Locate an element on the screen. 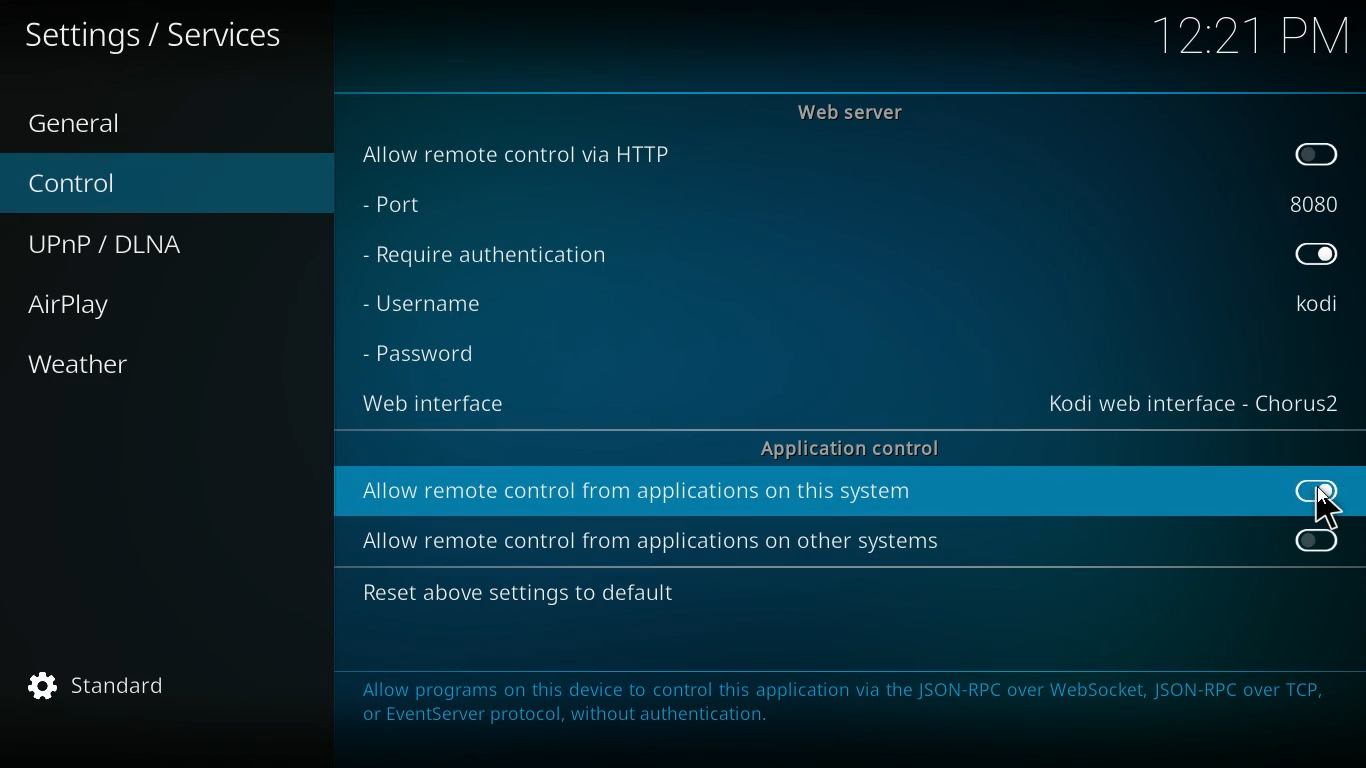  allow remote control is located at coordinates (639, 491).